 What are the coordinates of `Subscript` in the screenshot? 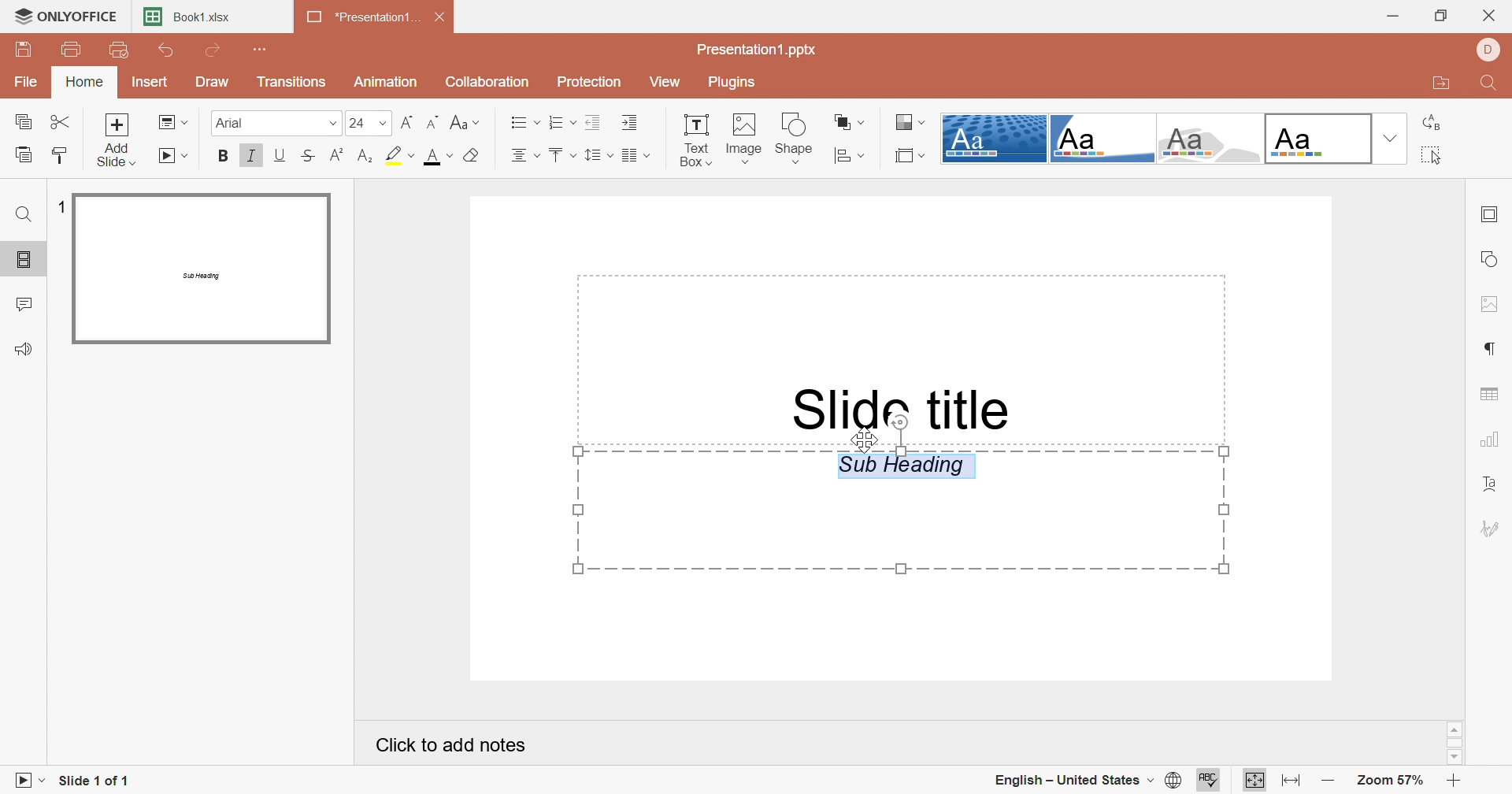 It's located at (367, 155).